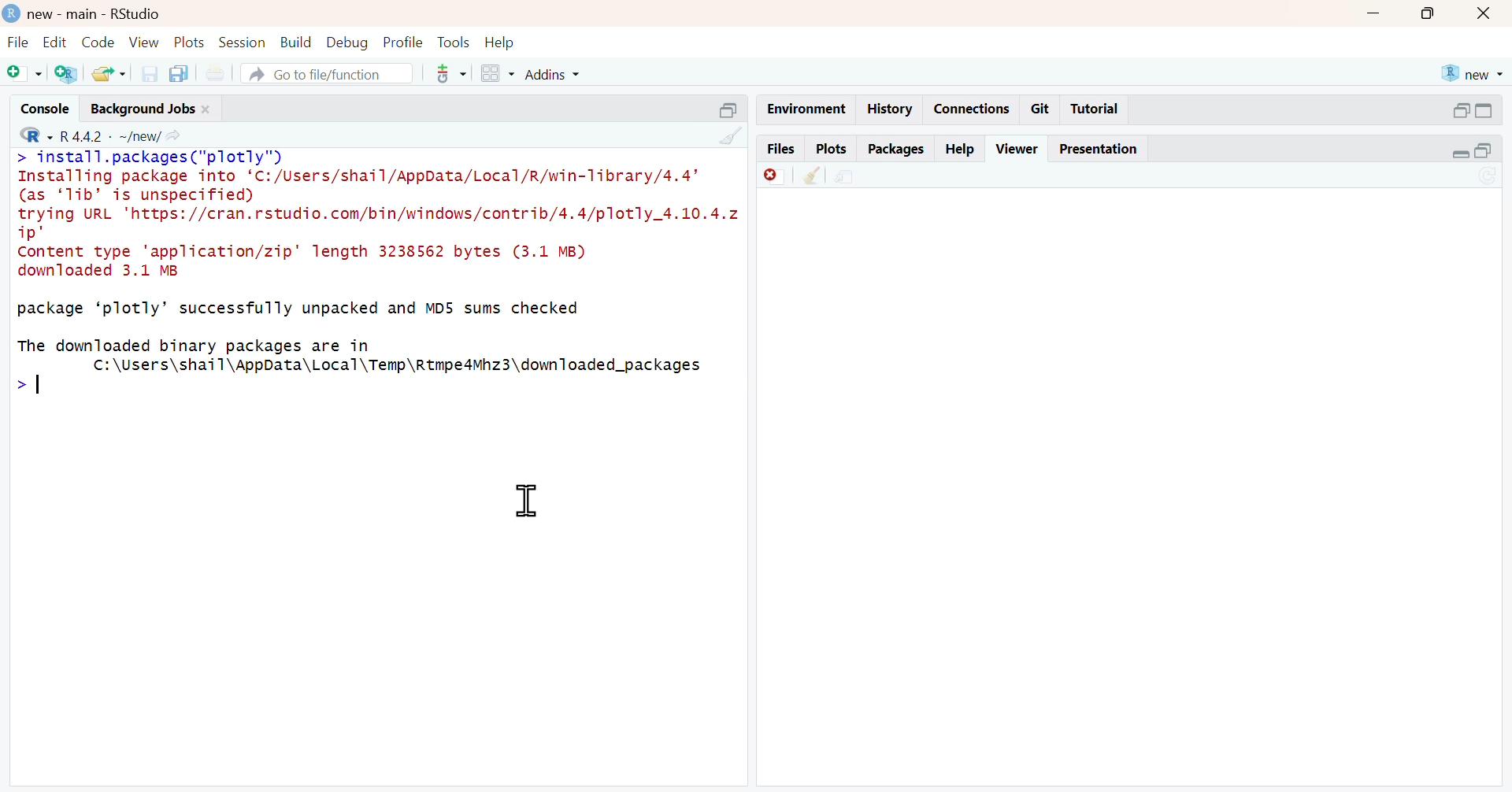 The width and height of the screenshot is (1512, 792). I want to click on viewer, so click(1018, 148).